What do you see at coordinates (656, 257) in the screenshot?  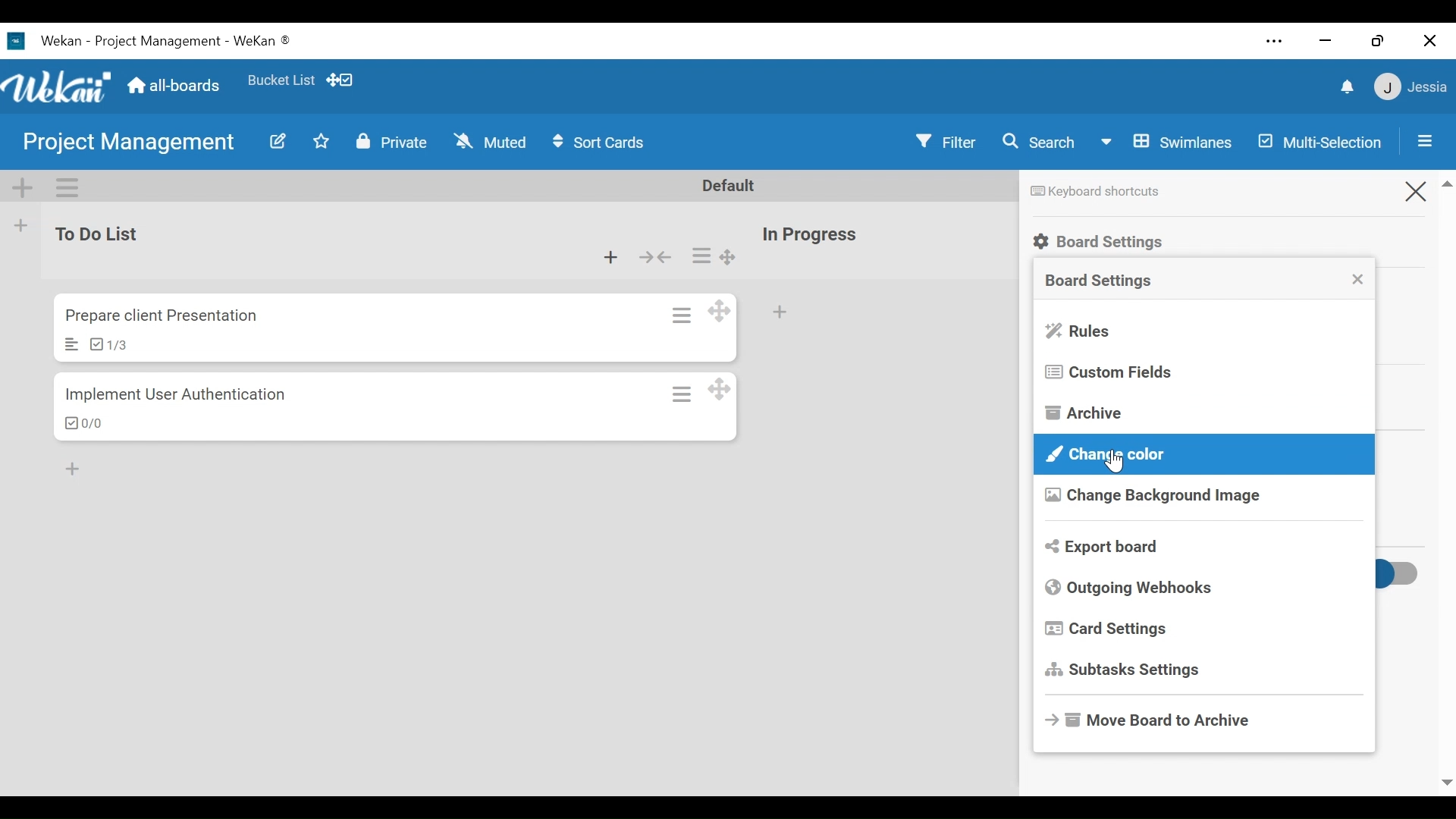 I see `Collapse` at bounding box center [656, 257].